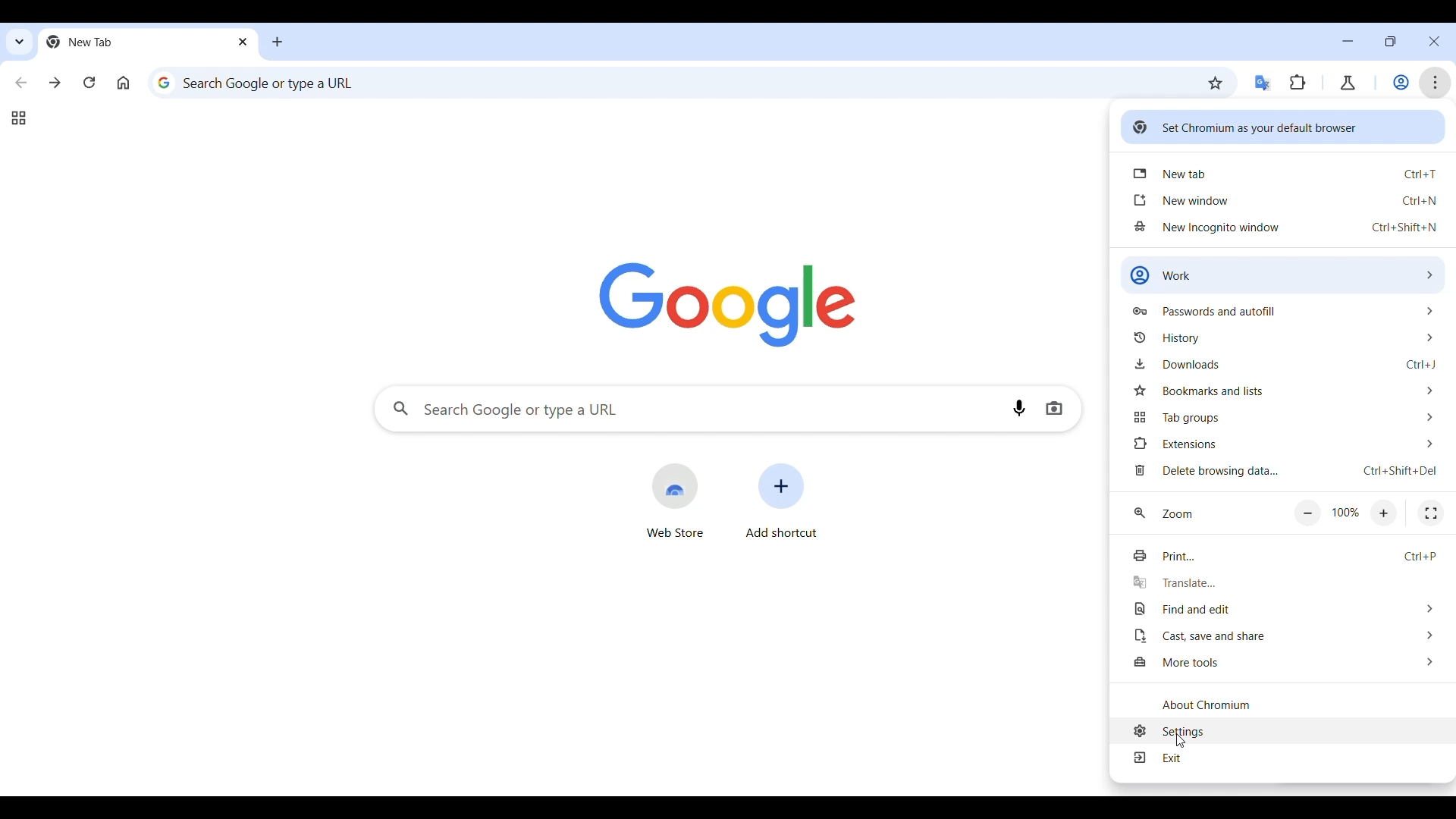 The image size is (1456, 819). I want to click on Minimize, so click(1348, 41).